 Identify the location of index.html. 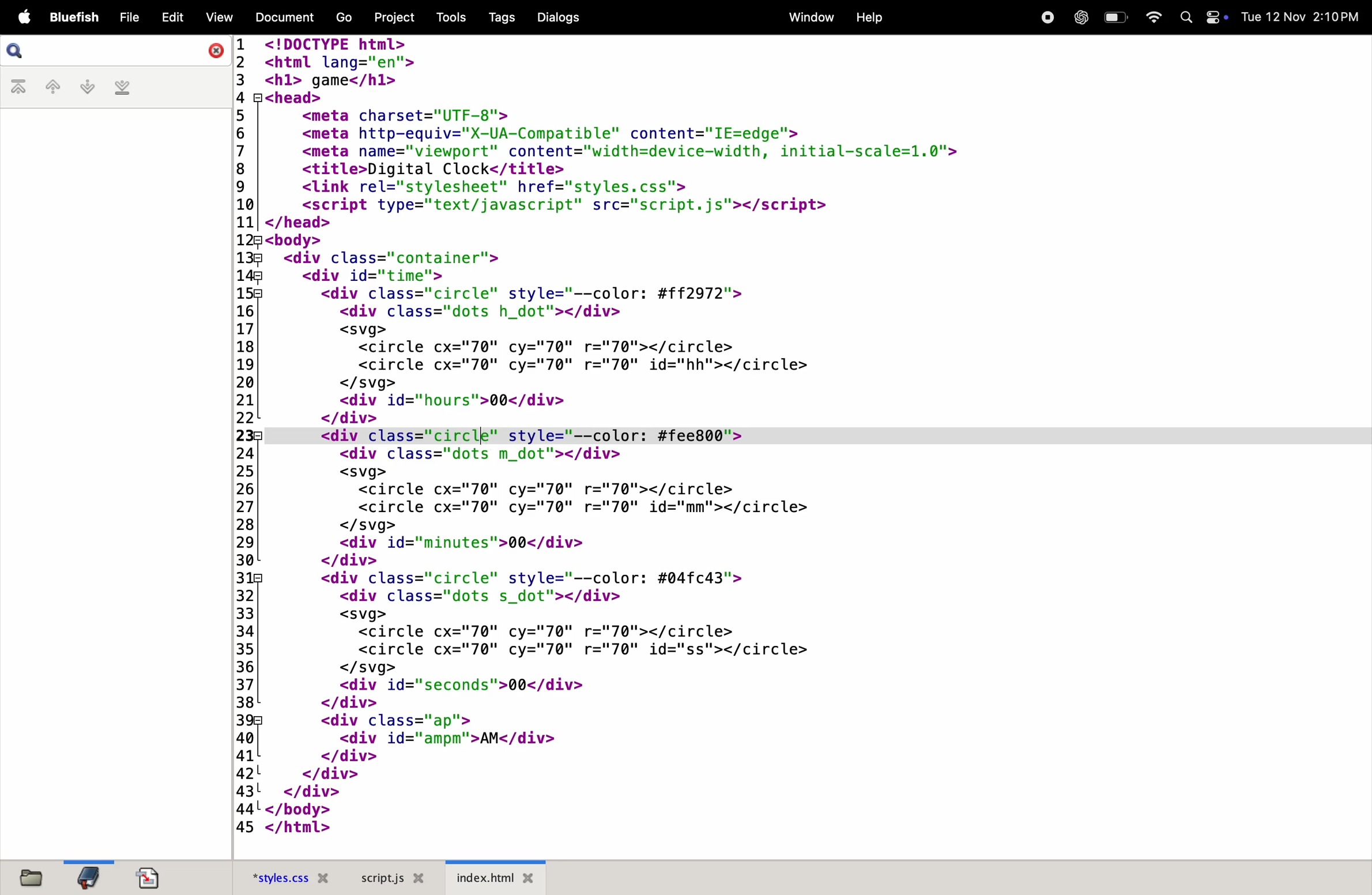
(496, 878).